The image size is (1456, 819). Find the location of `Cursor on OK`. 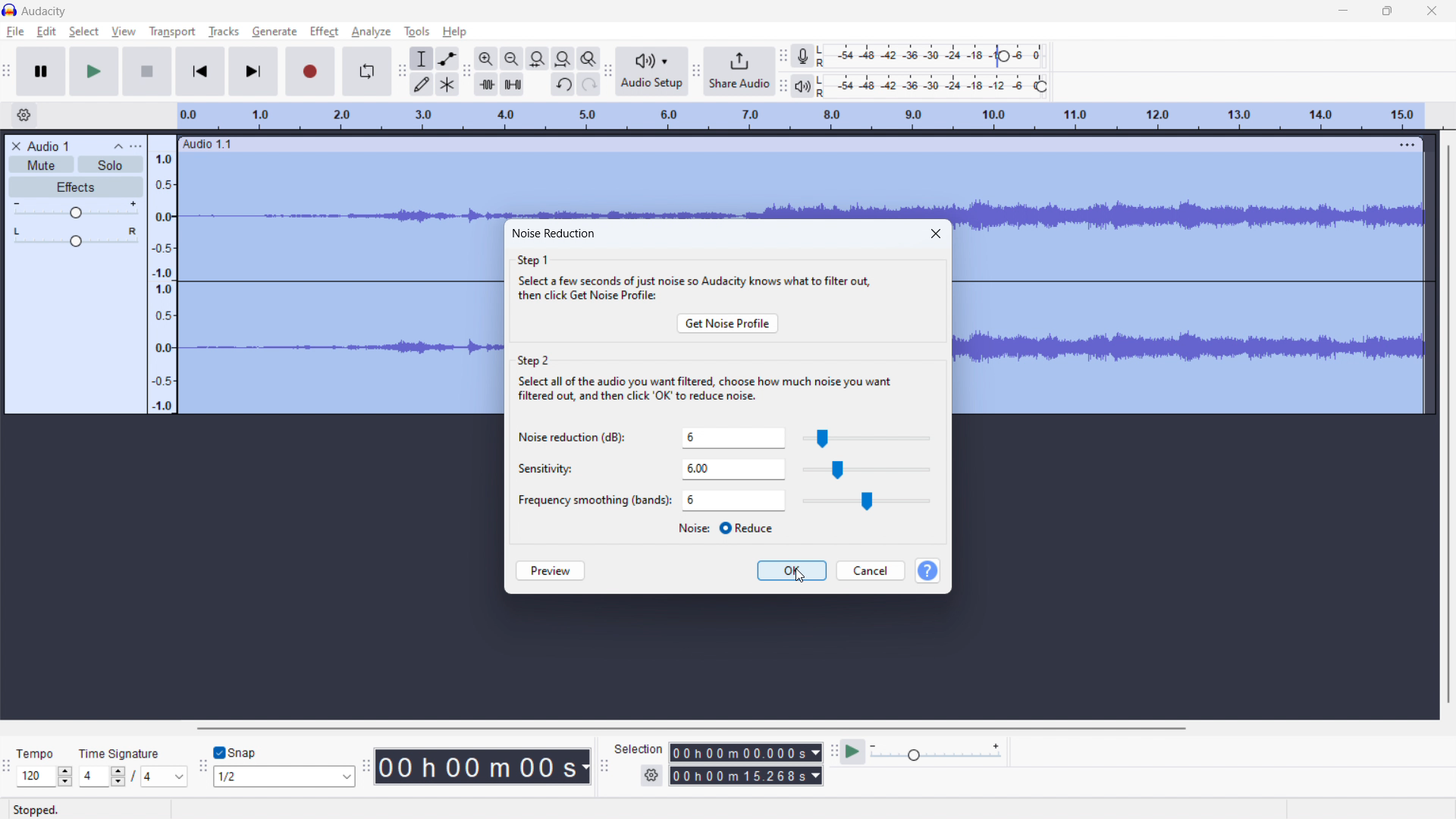

Cursor on OK is located at coordinates (800, 576).